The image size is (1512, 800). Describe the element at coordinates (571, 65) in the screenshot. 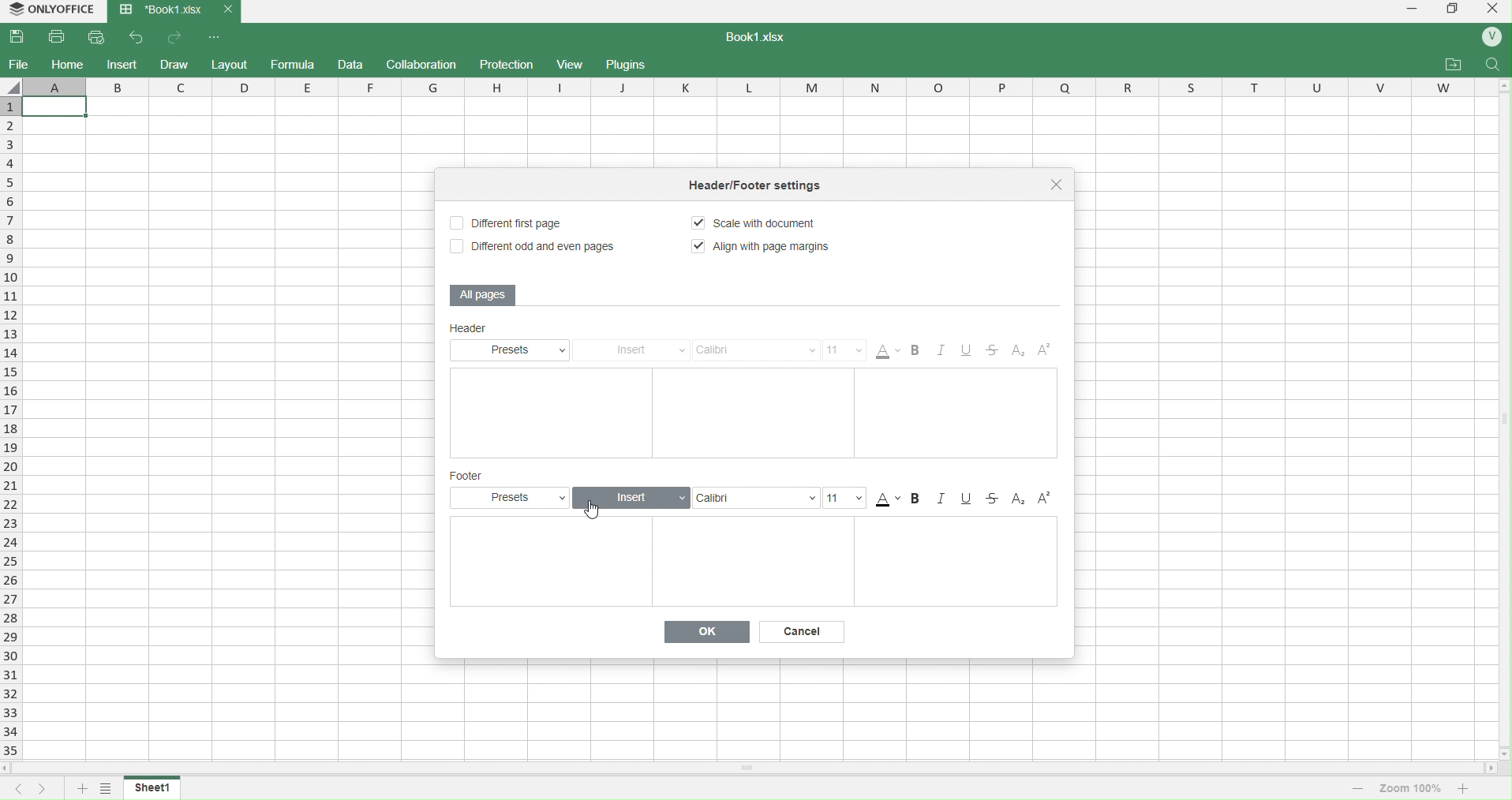

I see `view` at that location.